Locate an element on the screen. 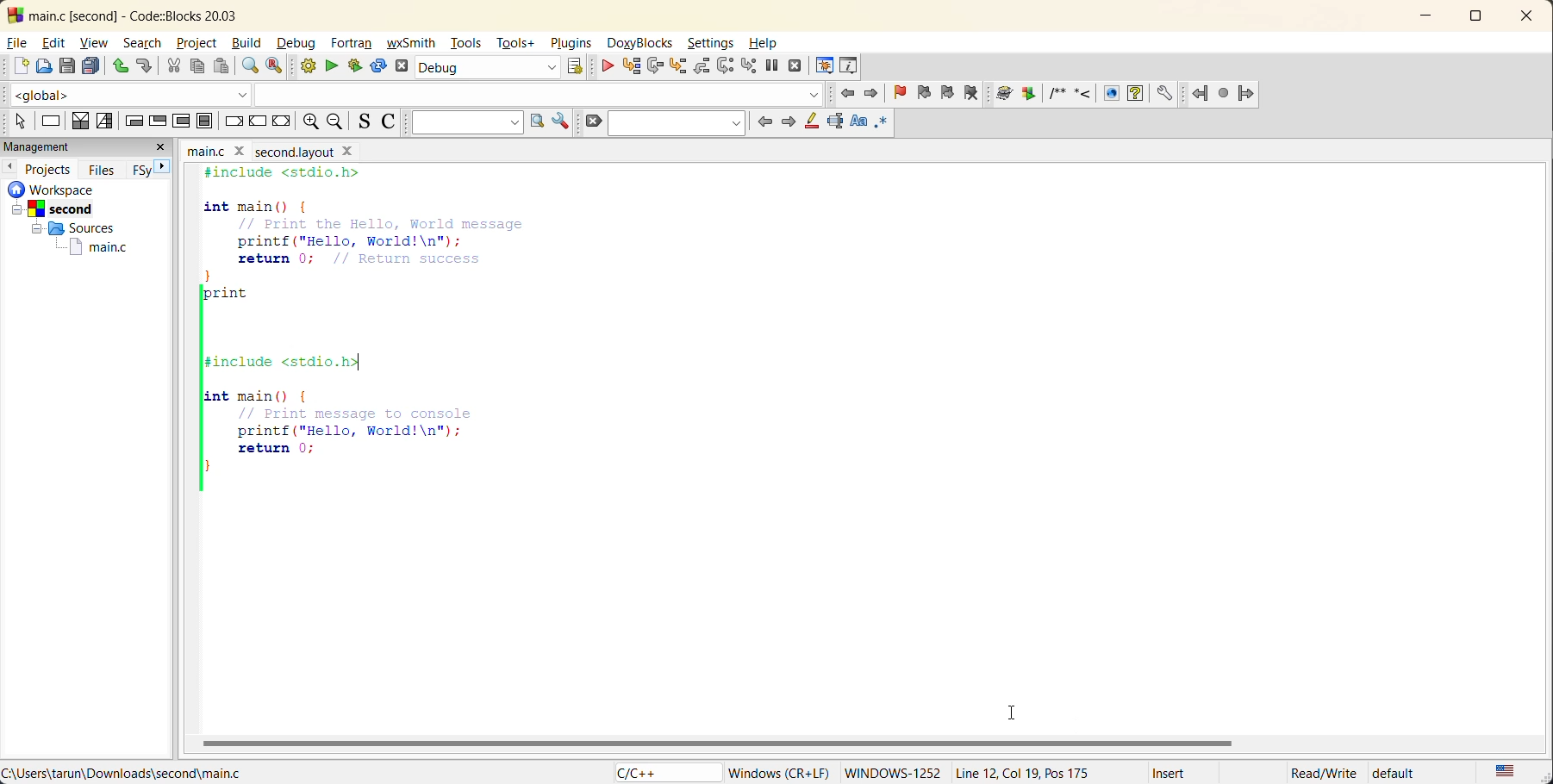  step out is located at coordinates (701, 68).